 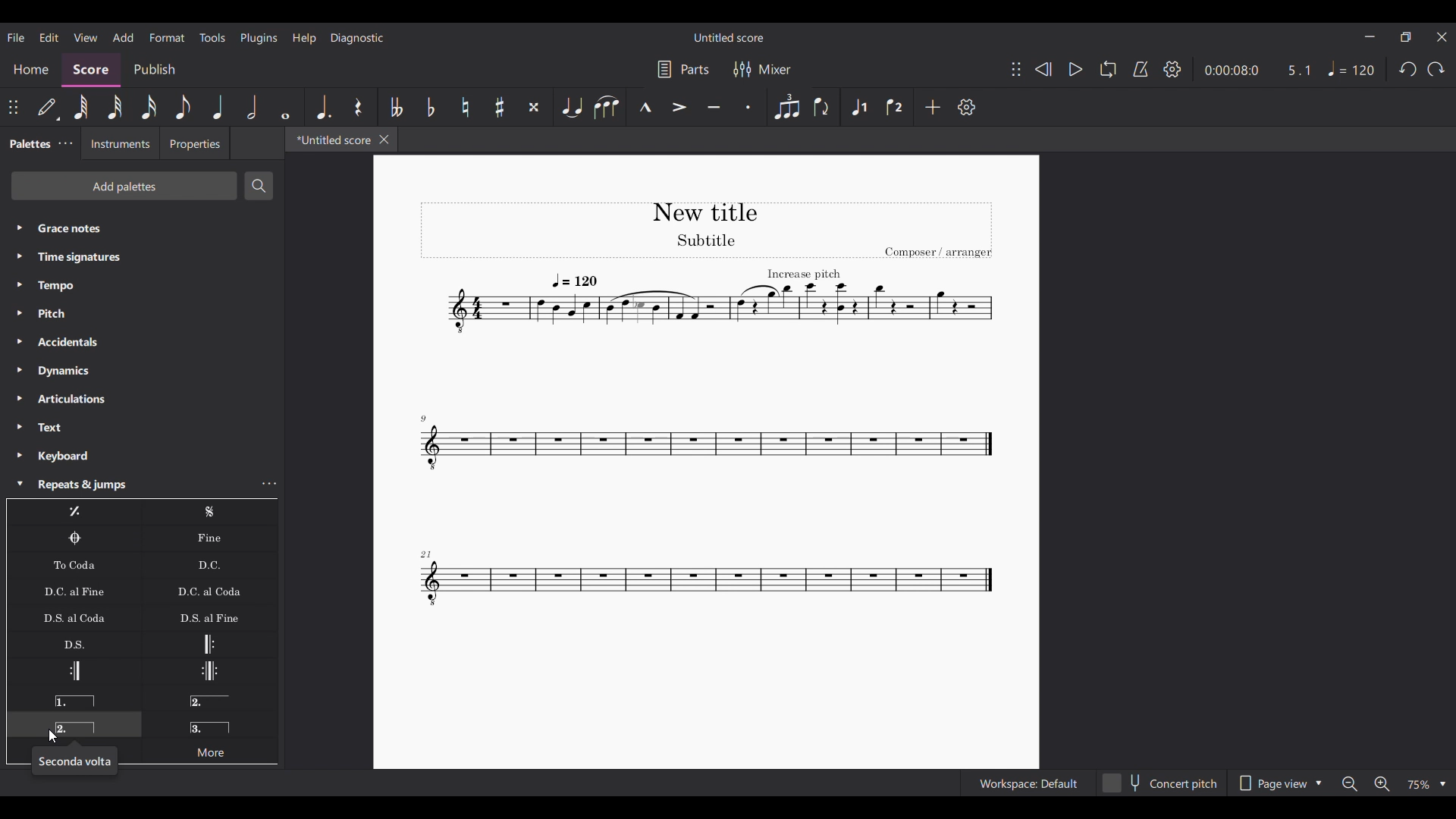 What do you see at coordinates (209, 565) in the screenshot?
I see `D.C.` at bounding box center [209, 565].